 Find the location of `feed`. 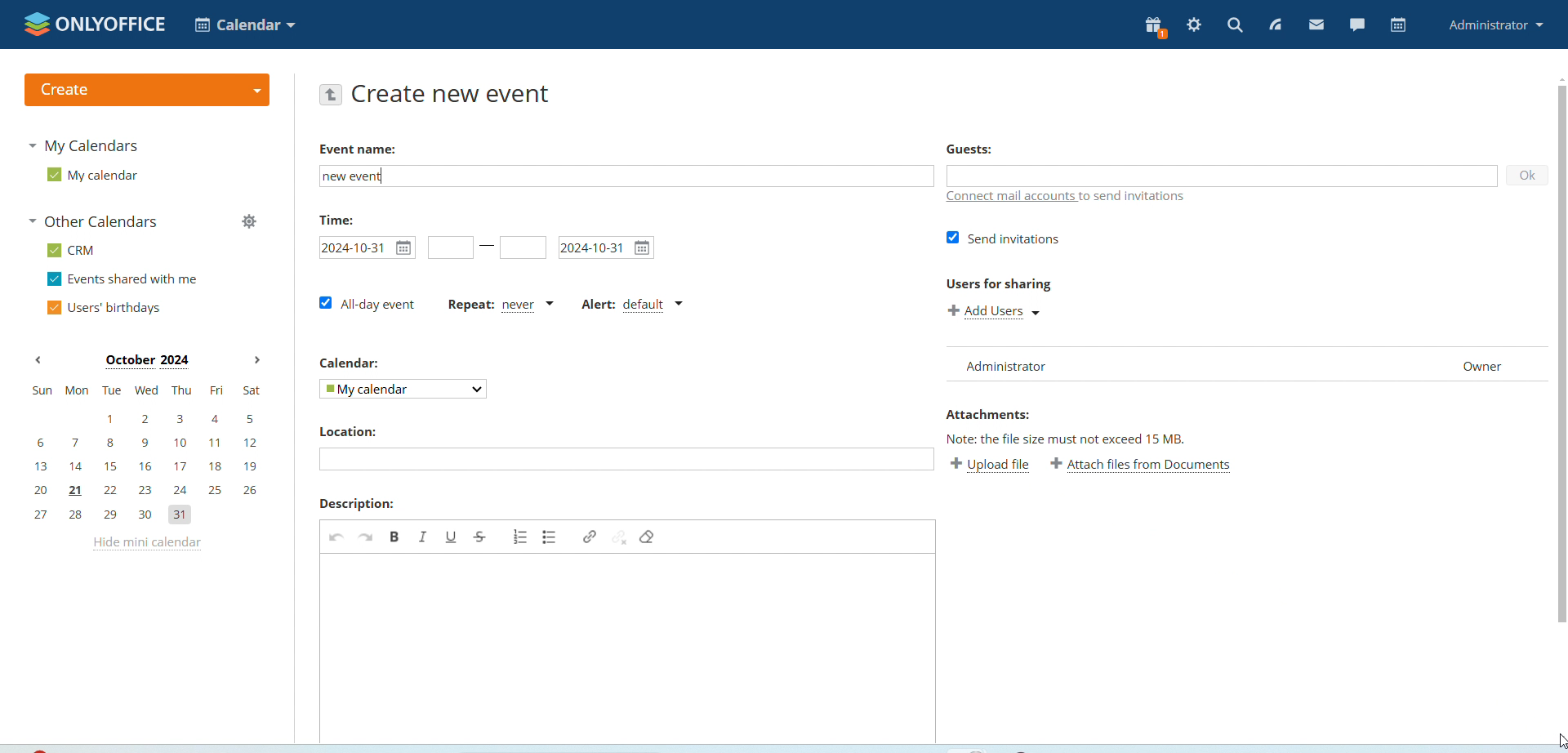

feed is located at coordinates (1274, 26).